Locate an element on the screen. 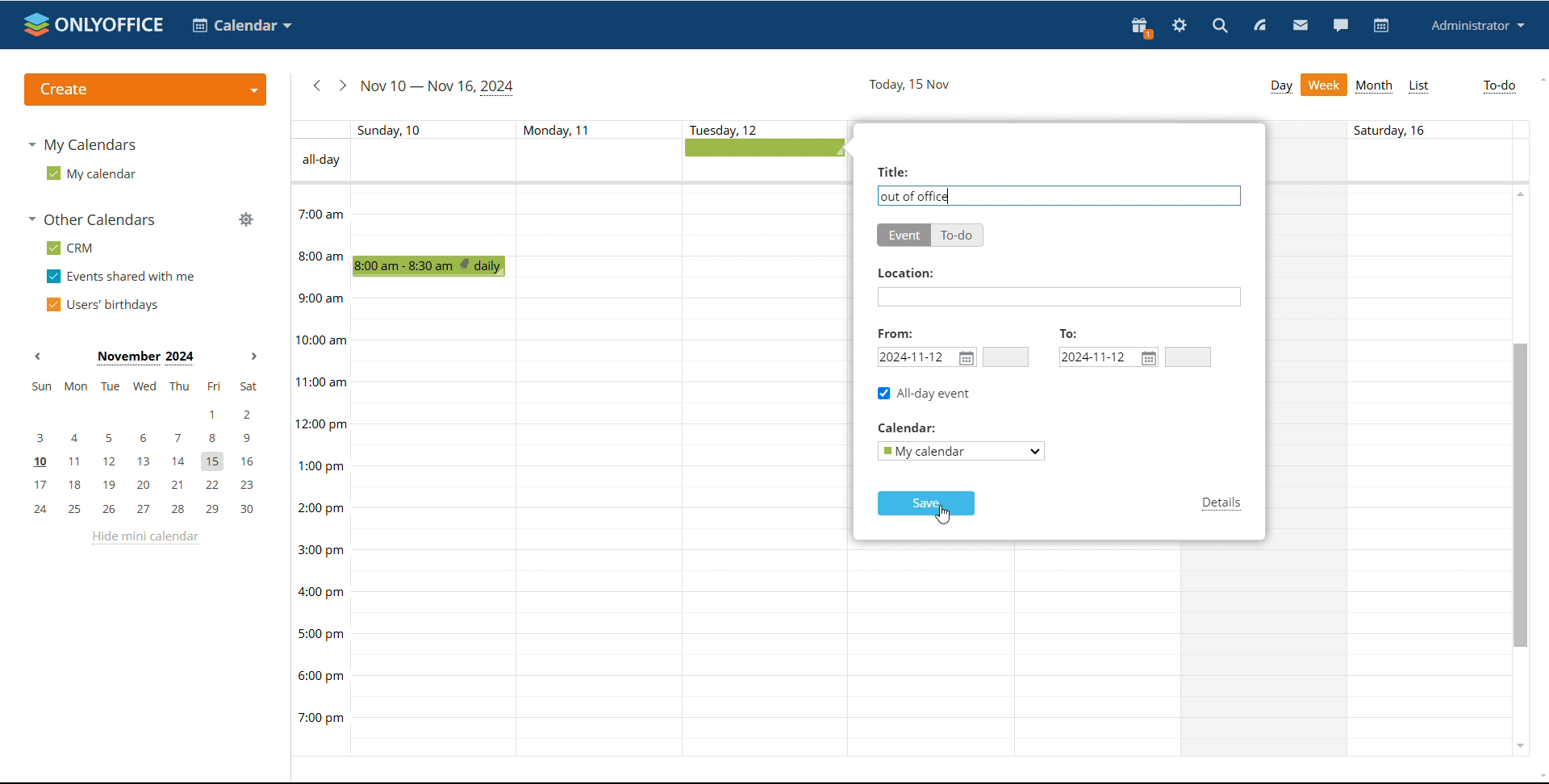 The image size is (1549, 784). start time is located at coordinates (1008, 357).